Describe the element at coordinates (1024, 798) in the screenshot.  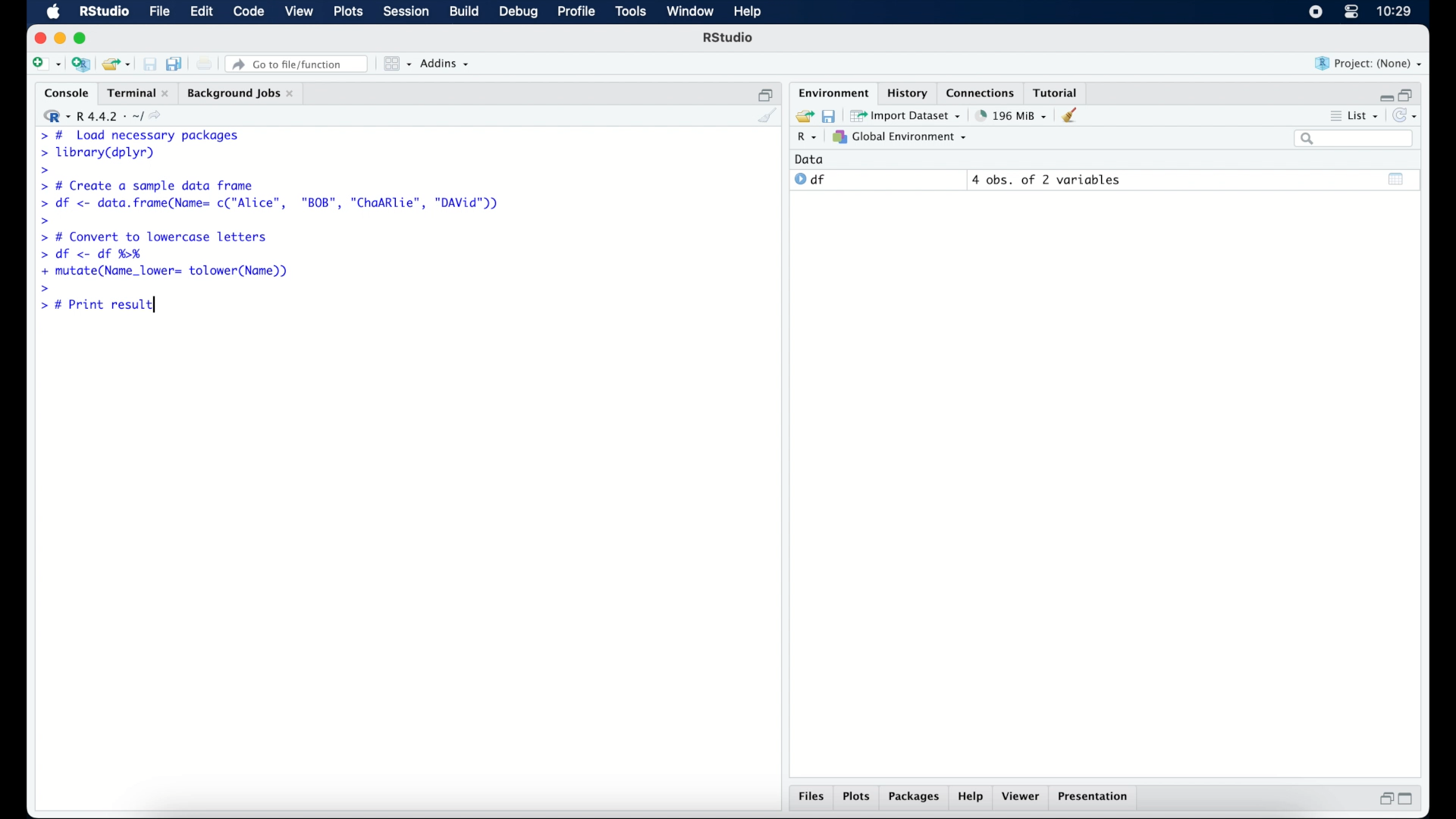
I see `viewer` at that location.